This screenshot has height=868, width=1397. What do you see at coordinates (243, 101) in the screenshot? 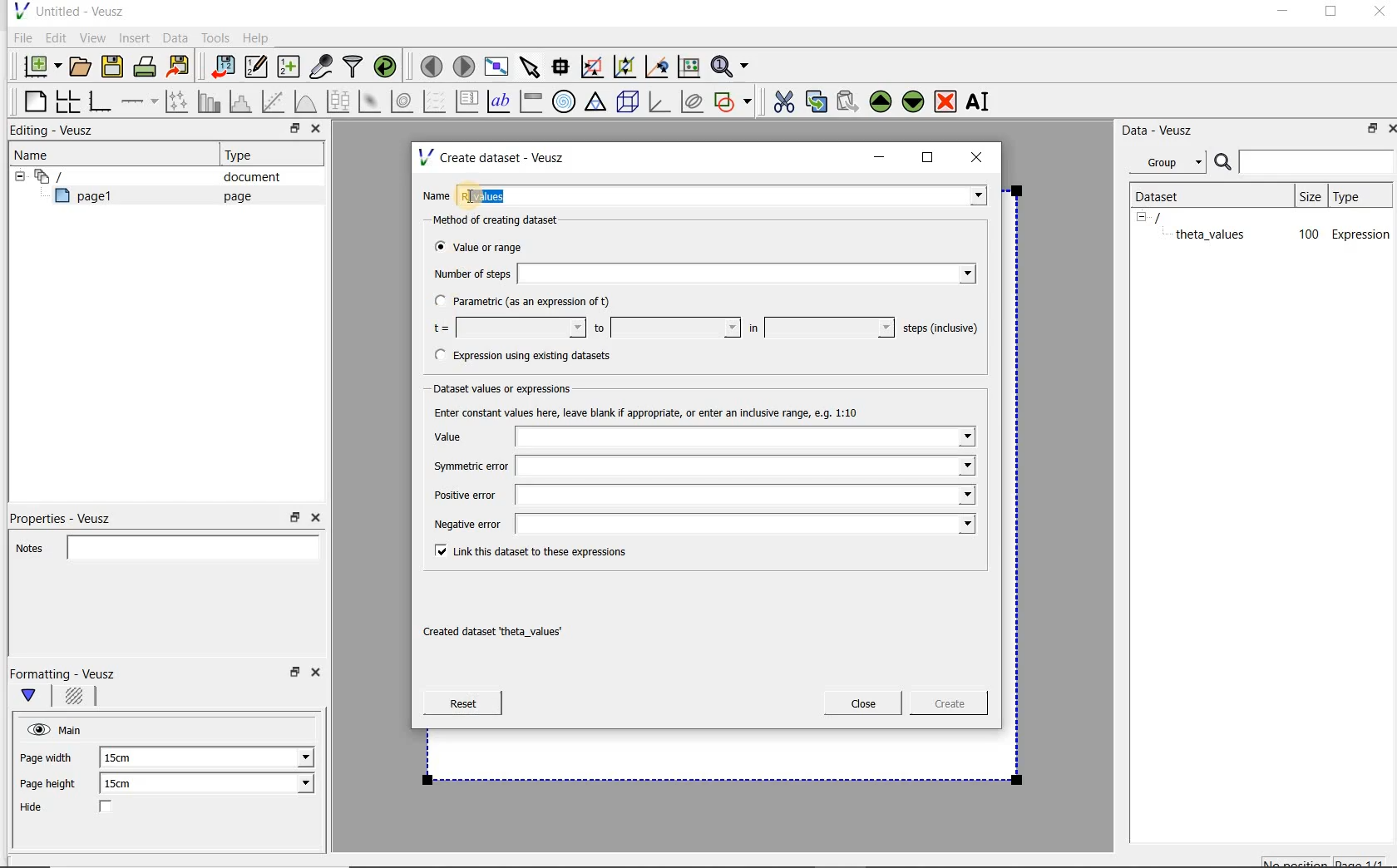
I see `histogram of a dataset` at bounding box center [243, 101].